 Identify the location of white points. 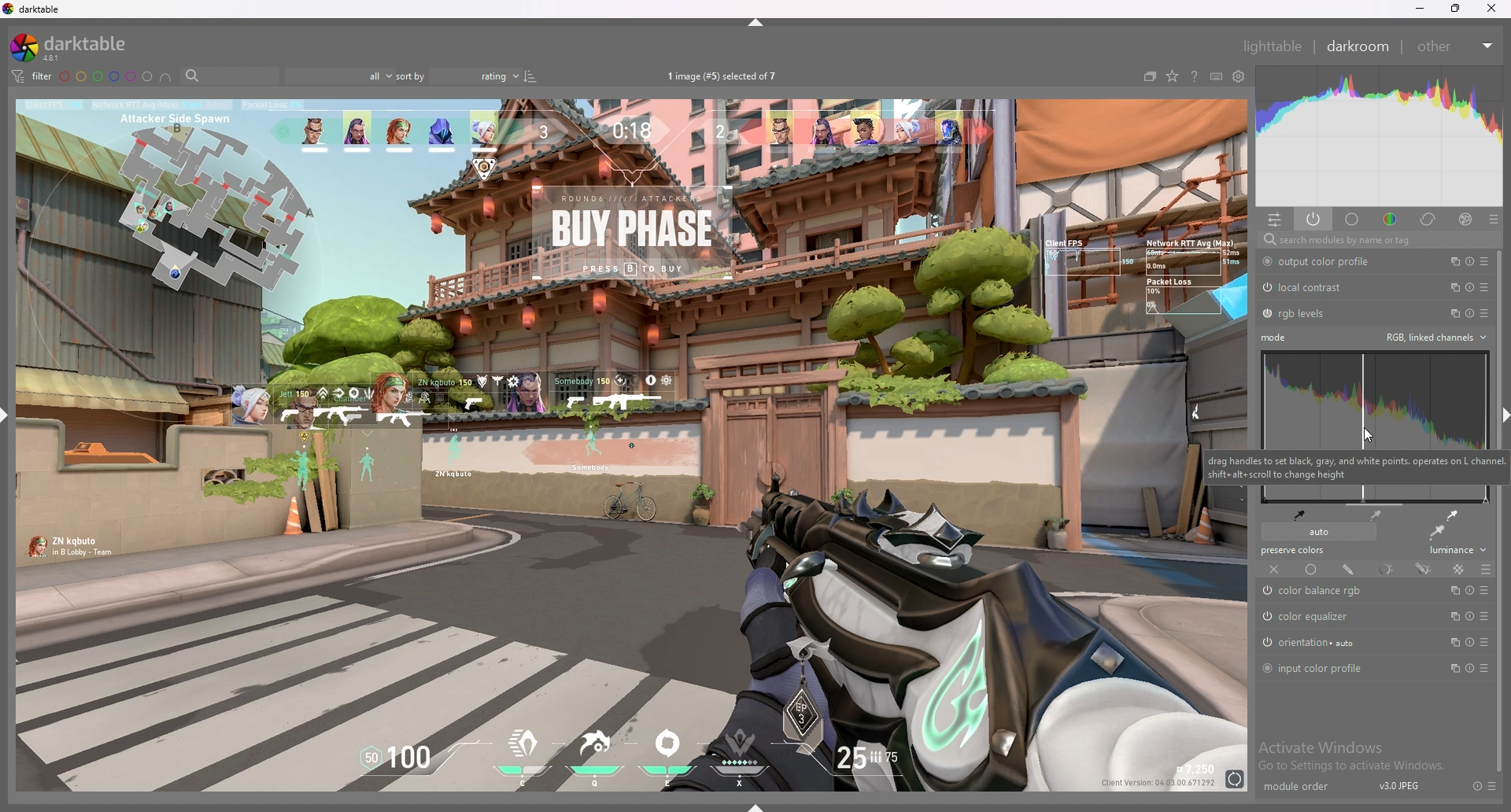
(1450, 515).